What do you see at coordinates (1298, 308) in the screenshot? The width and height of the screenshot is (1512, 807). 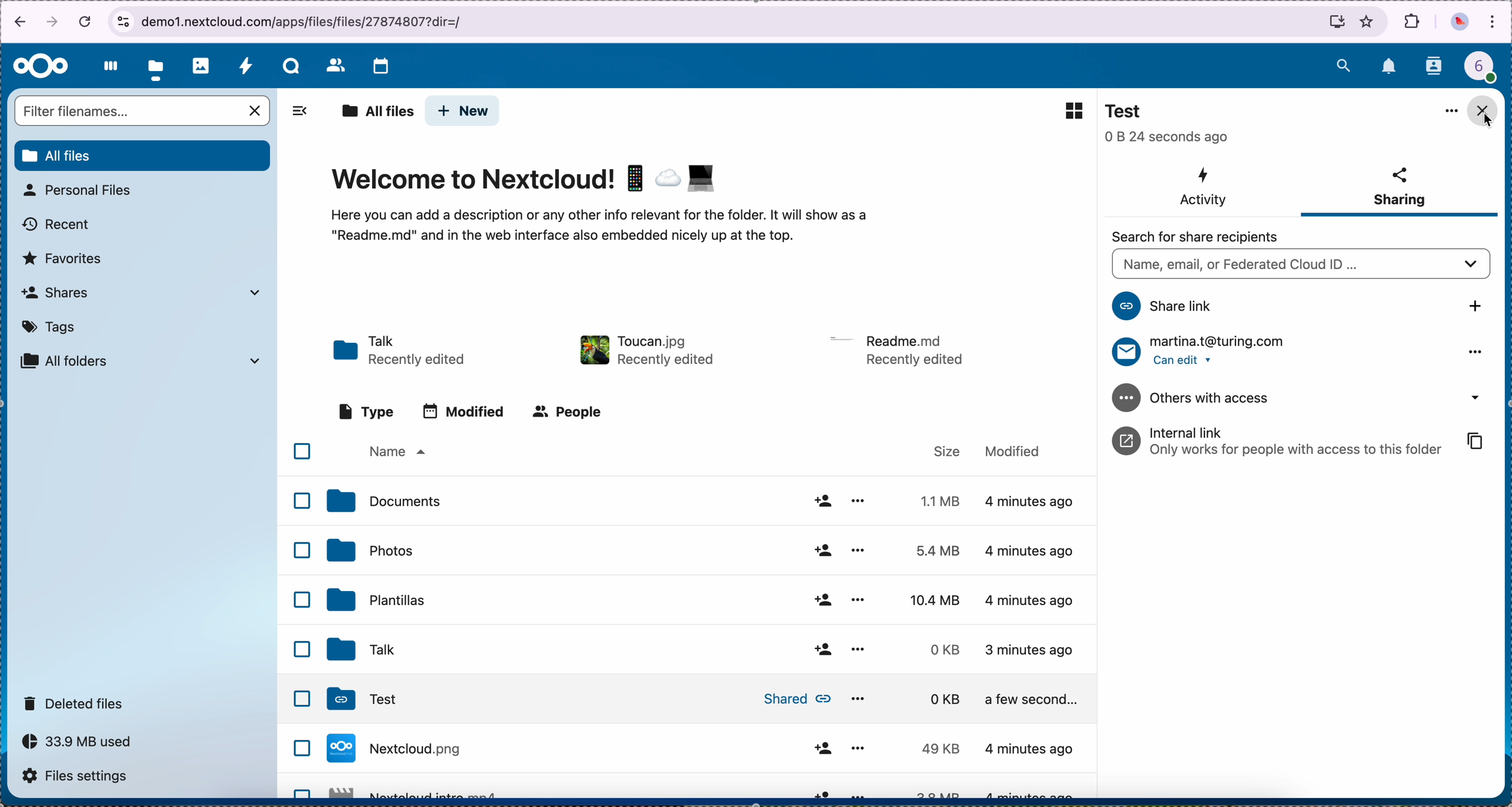 I see `share link` at bounding box center [1298, 308].